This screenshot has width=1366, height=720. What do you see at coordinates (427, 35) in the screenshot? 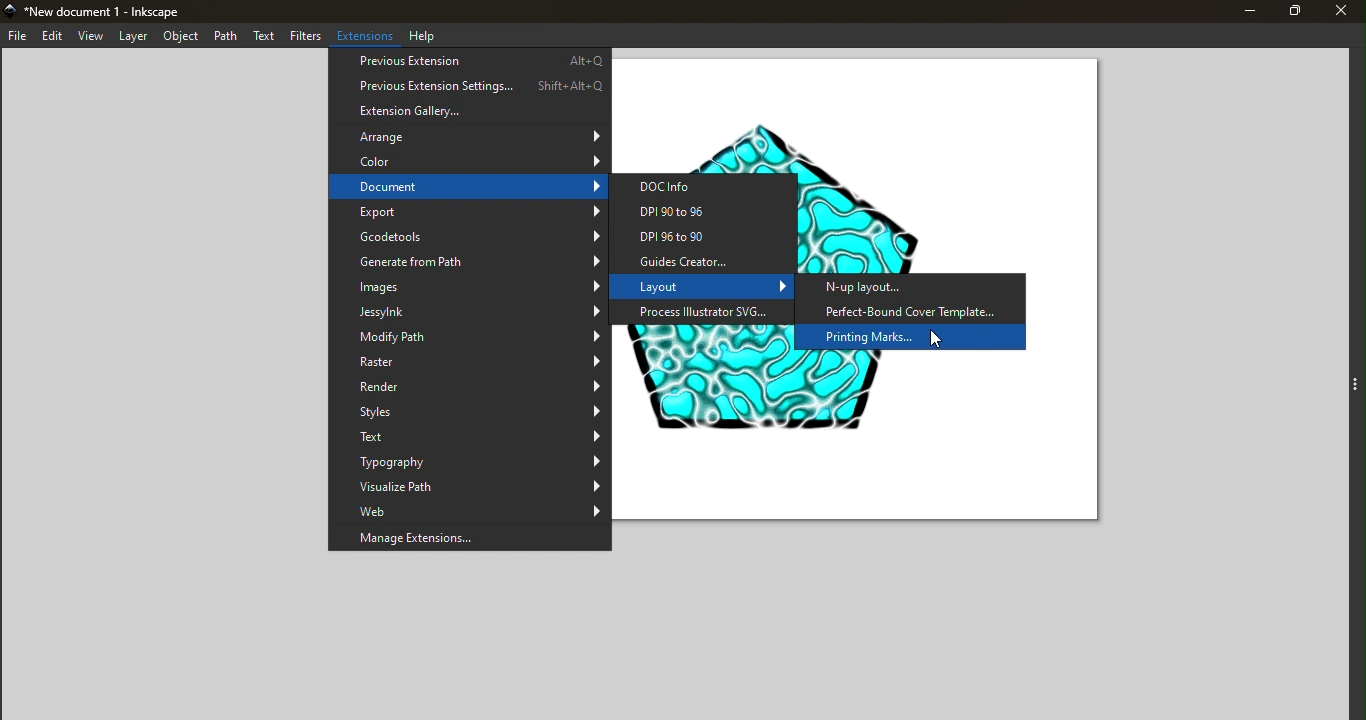
I see `Help` at bounding box center [427, 35].